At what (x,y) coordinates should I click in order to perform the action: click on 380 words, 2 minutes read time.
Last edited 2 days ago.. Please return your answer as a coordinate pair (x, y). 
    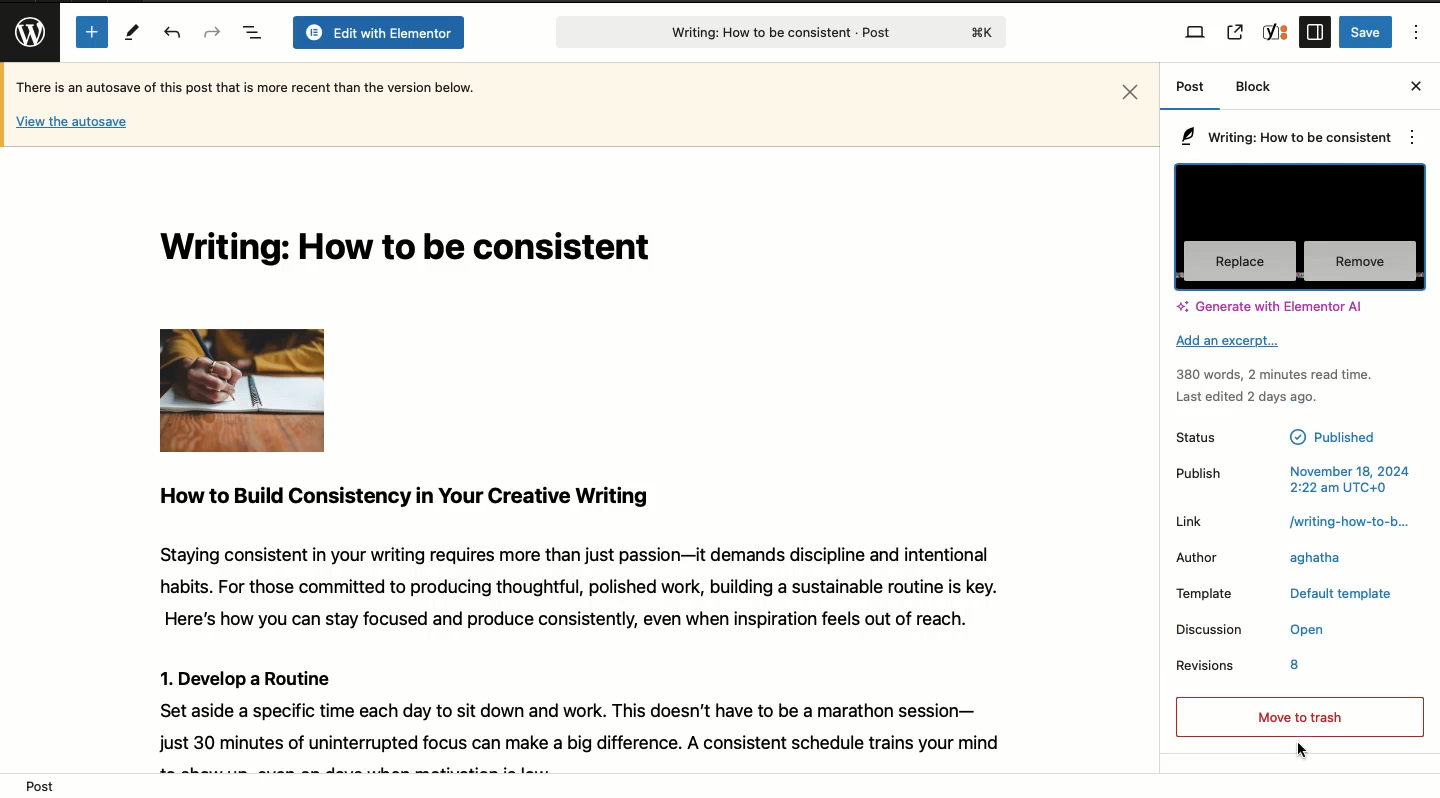
    Looking at the image, I should click on (1279, 385).